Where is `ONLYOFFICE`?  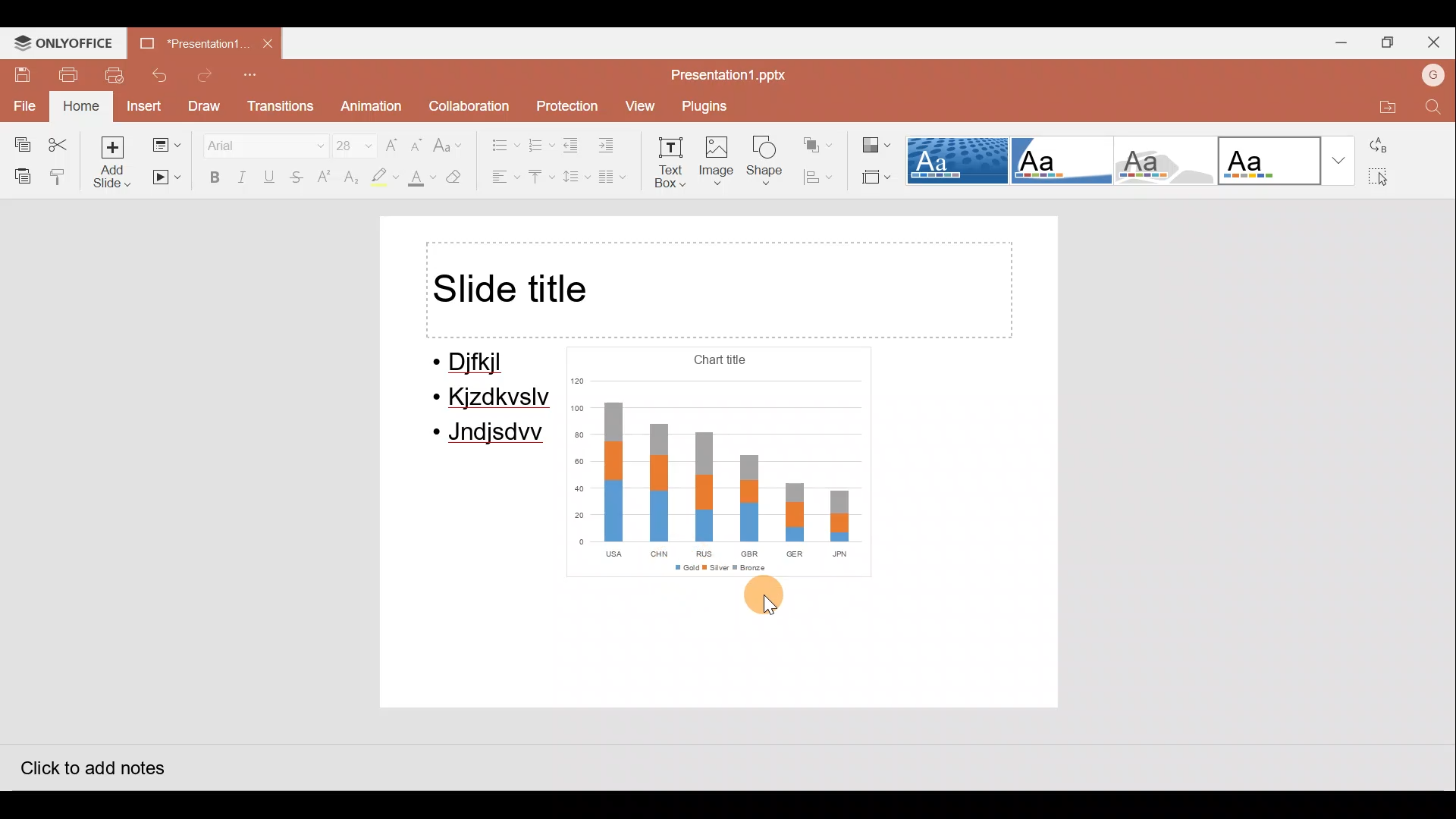
ONLYOFFICE is located at coordinates (65, 42).